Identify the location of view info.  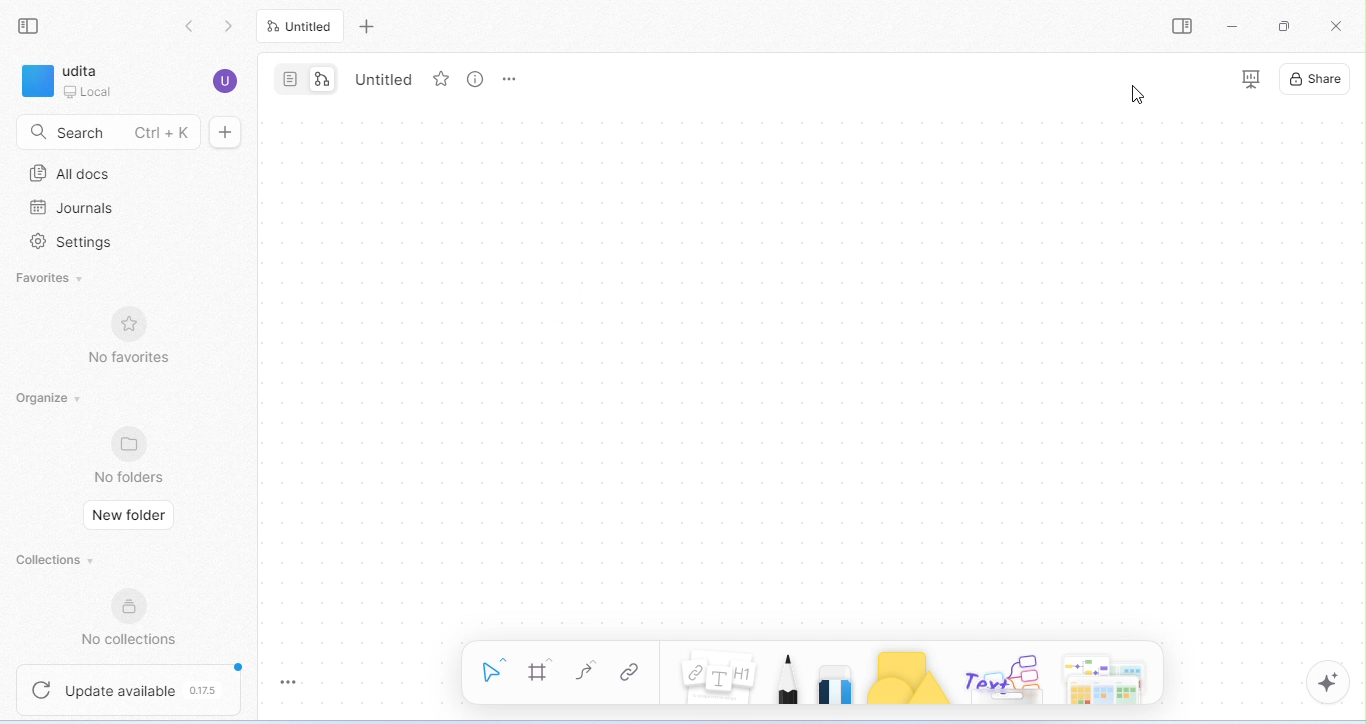
(480, 80).